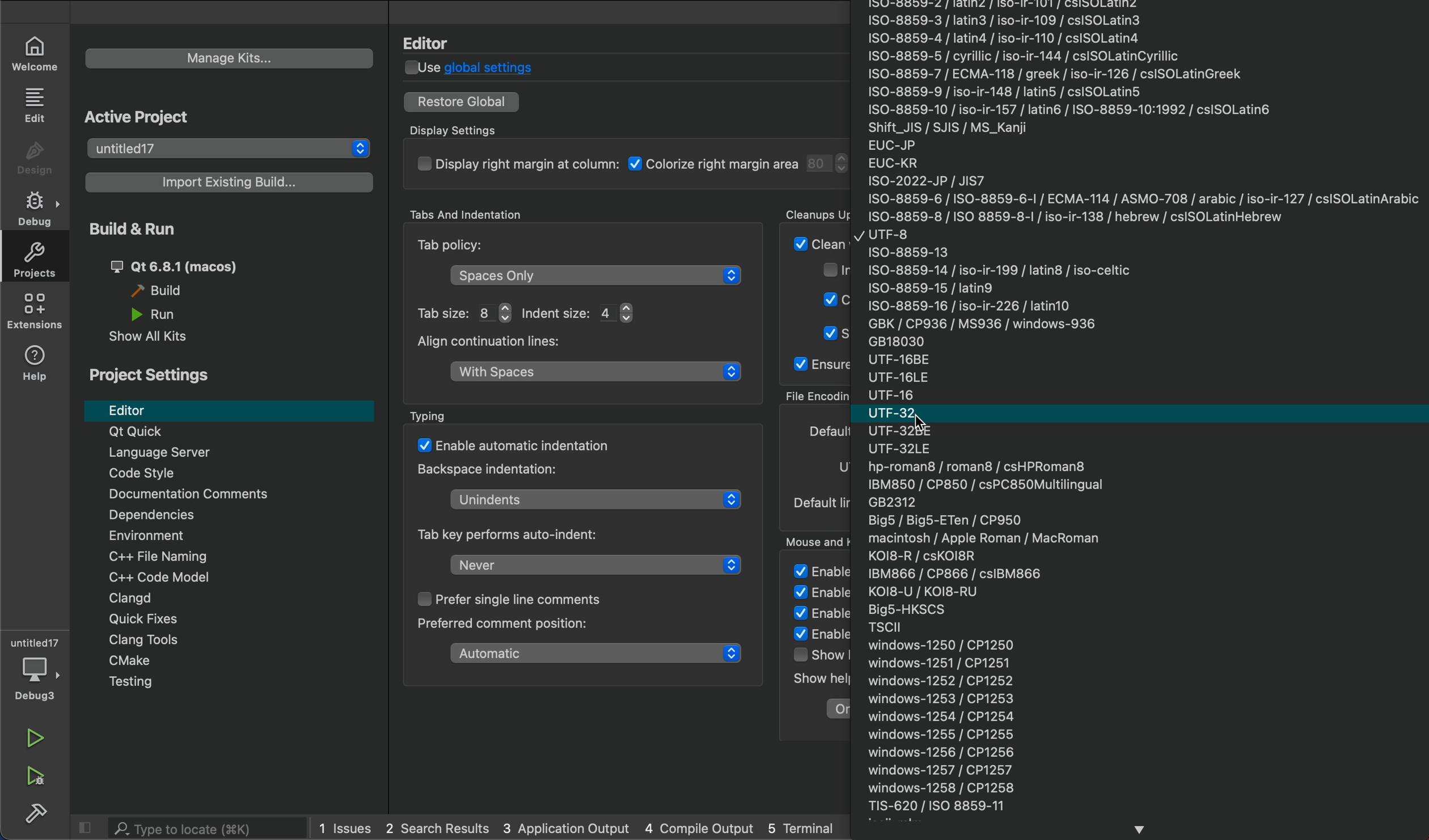 The image size is (1429, 840). What do you see at coordinates (229, 149) in the screenshot?
I see `projects` at bounding box center [229, 149].